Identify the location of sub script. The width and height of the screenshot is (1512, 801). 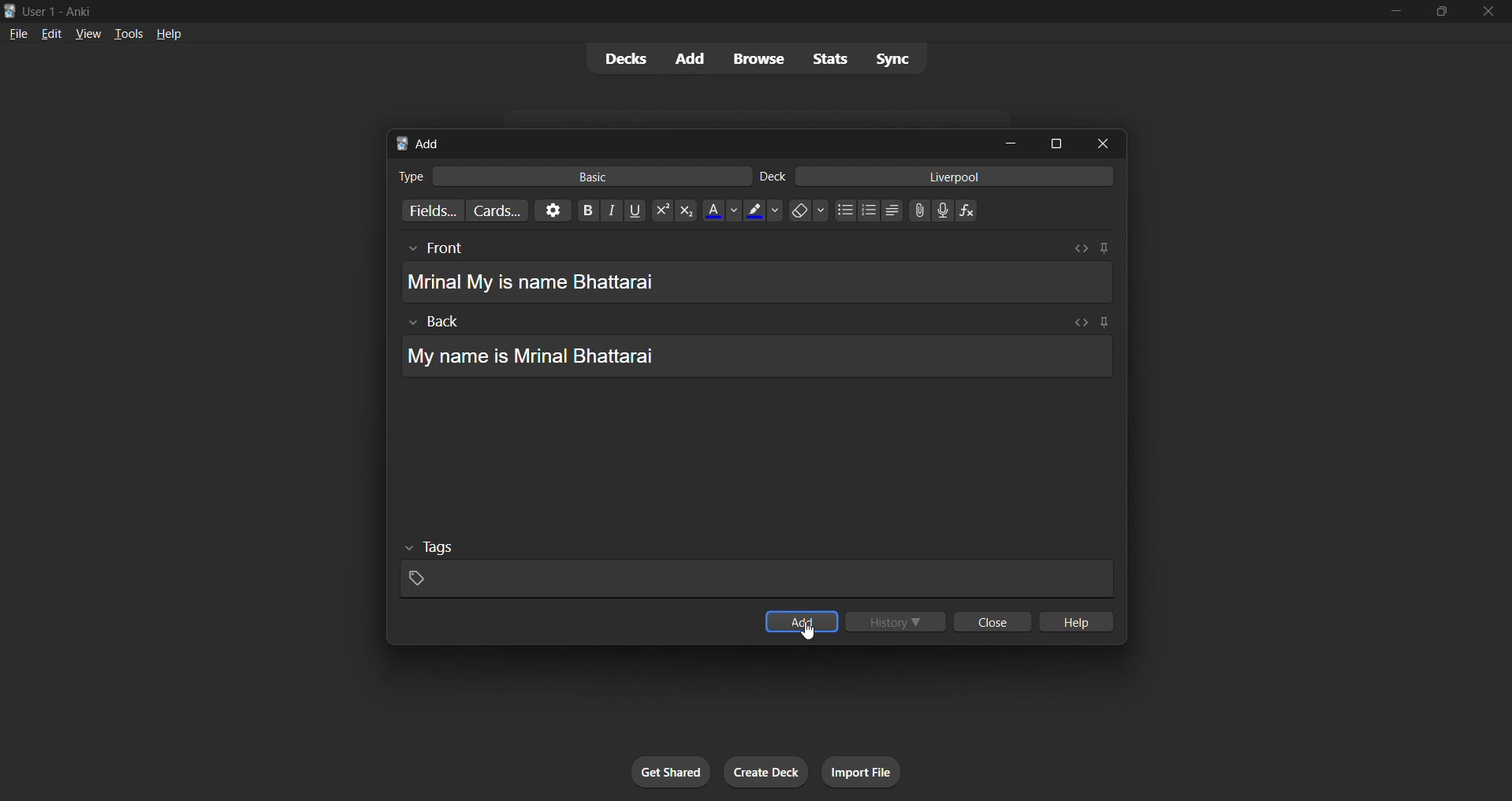
(685, 210).